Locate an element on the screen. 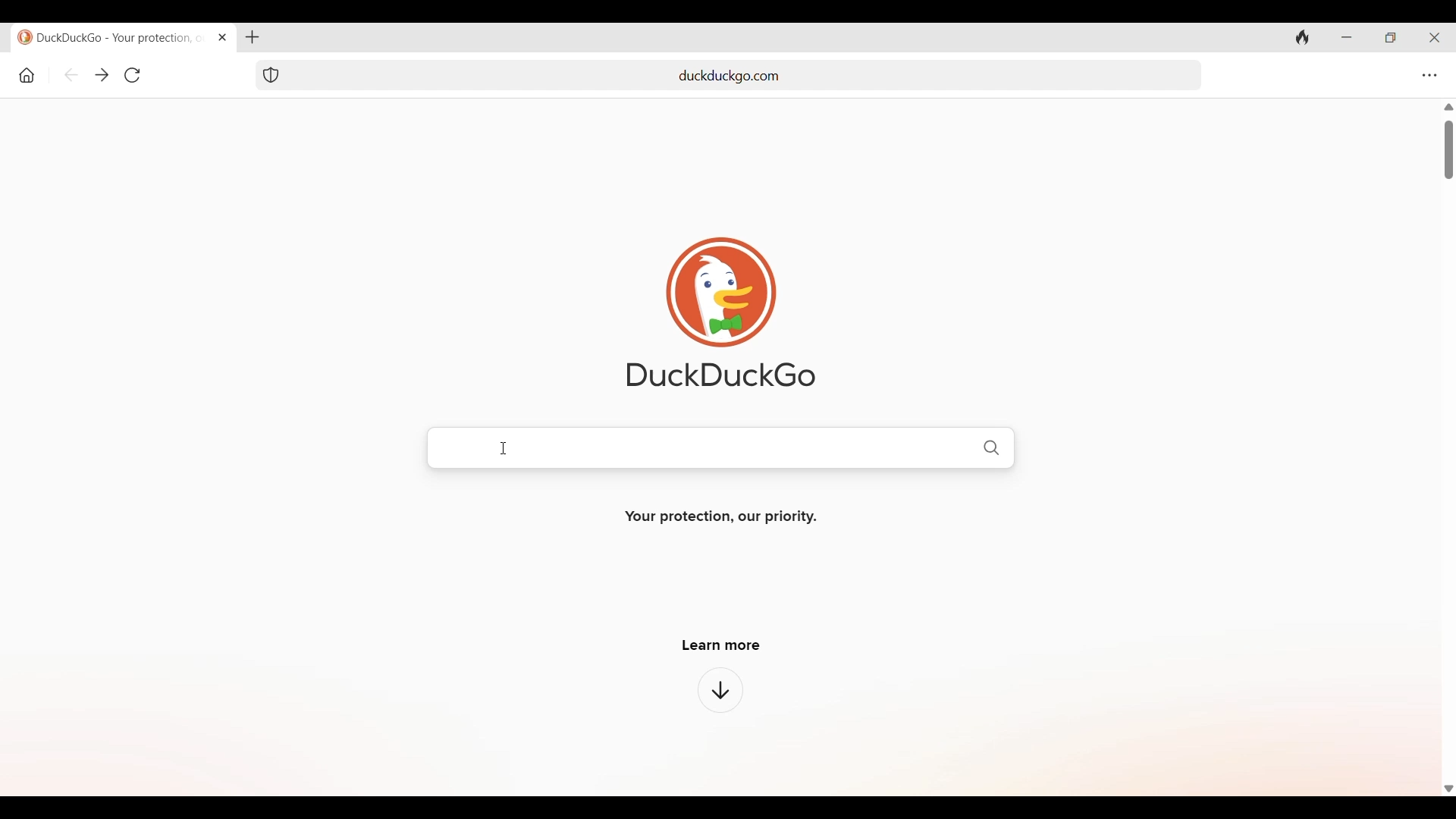  Close browser is located at coordinates (1435, 37).